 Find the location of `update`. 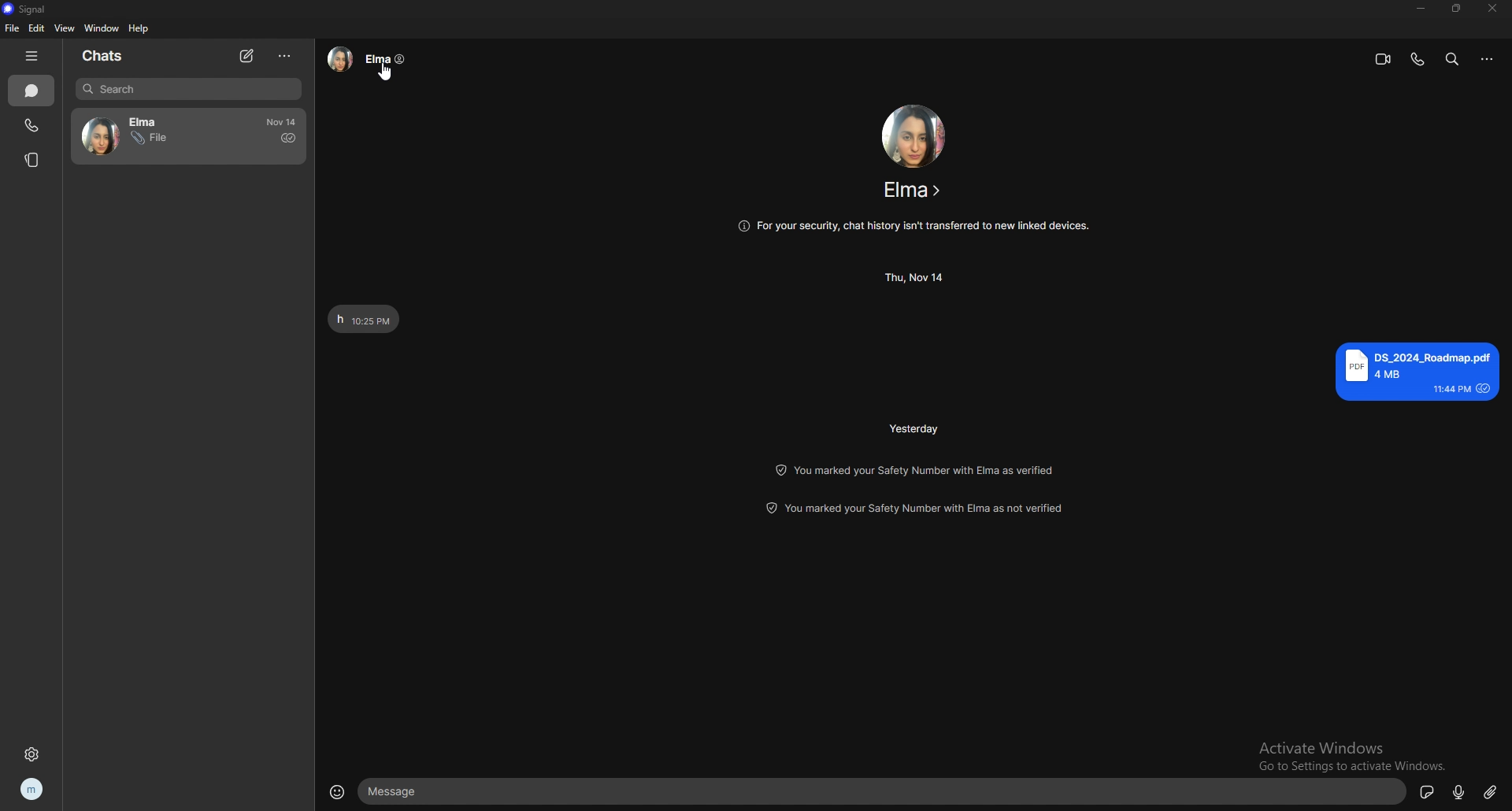

update is located at coordinates (918, 511).